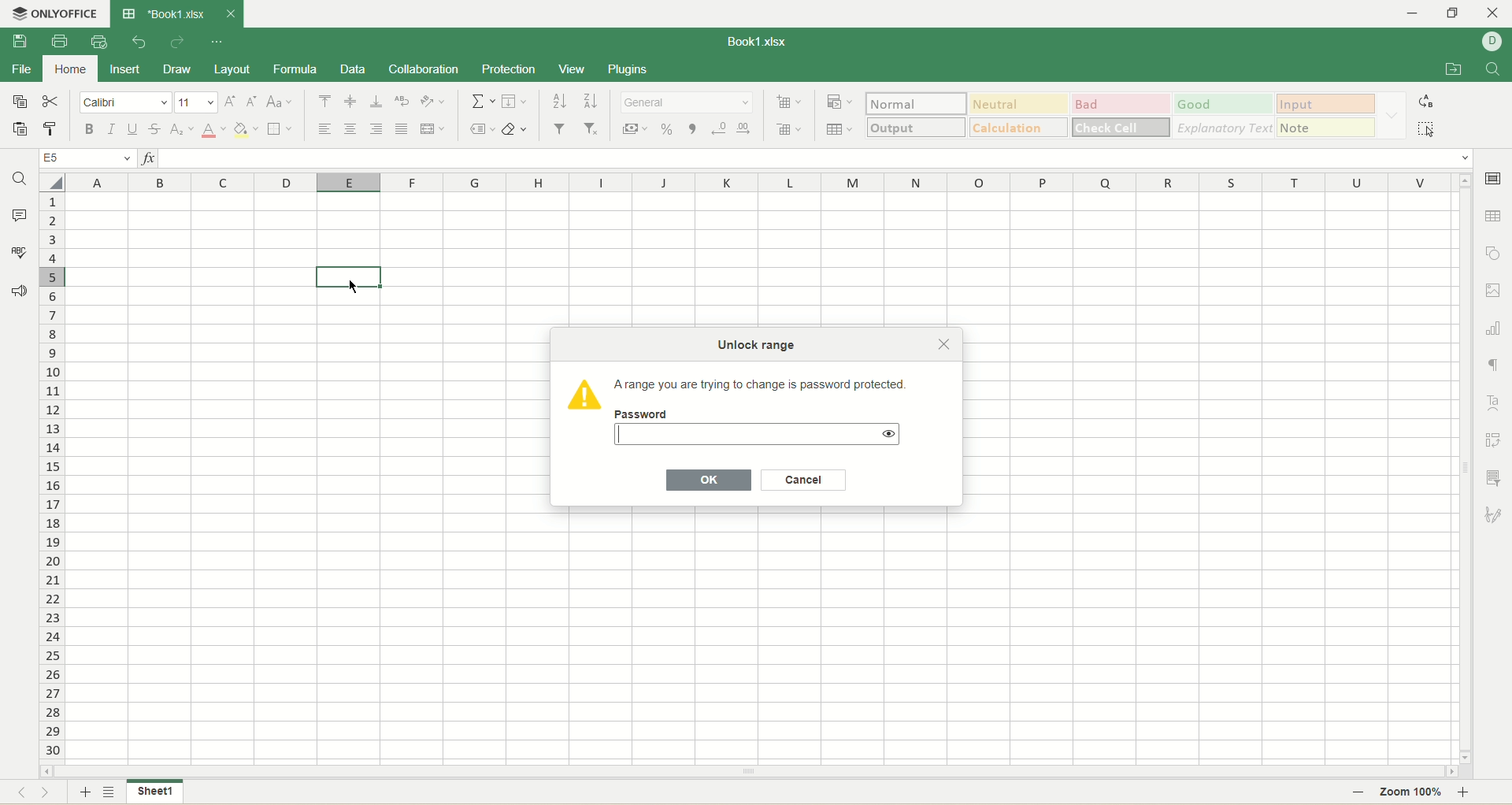 This screenshot has height=805, width=1512. What do you see at coordinates (87, 128) in the screenshot?
I see `bold` at bounding box center [87, 128].